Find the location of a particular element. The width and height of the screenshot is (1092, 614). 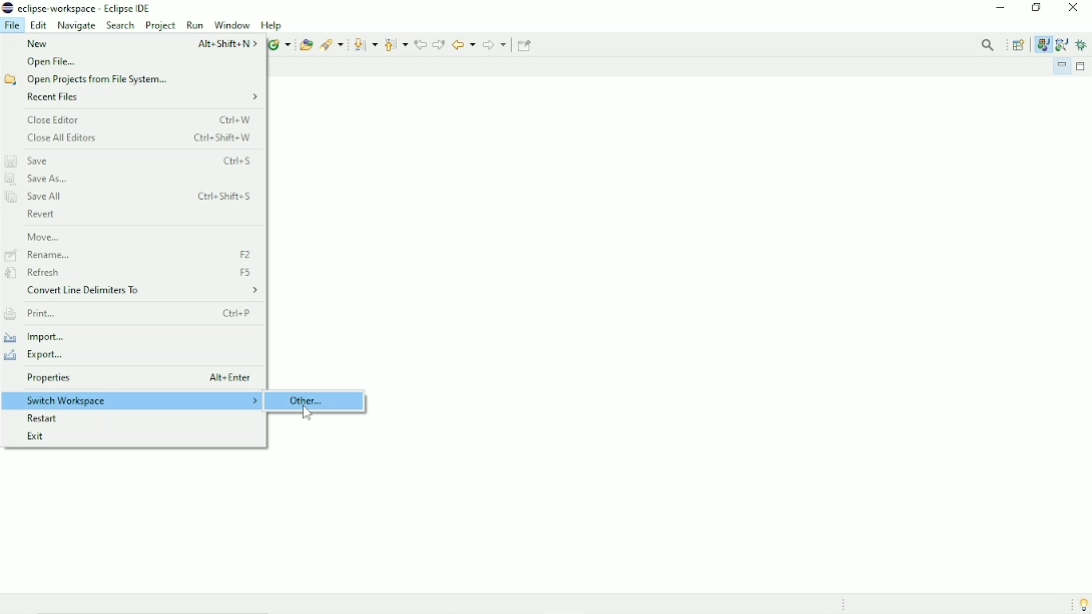

Rename is located at coordinates (131, 255).